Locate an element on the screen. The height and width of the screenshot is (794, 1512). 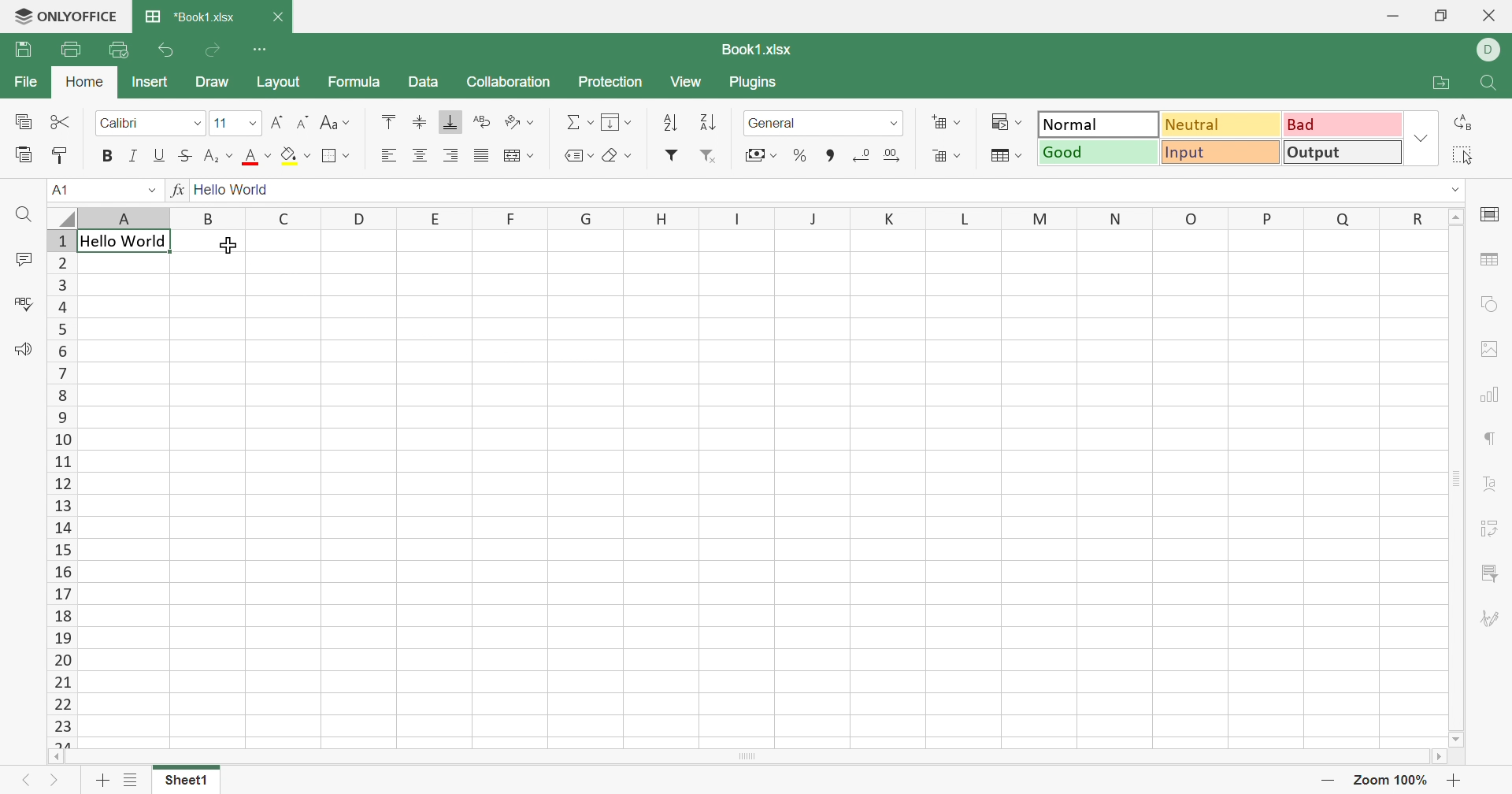
List of sheets is located at coordinates (132, 781).